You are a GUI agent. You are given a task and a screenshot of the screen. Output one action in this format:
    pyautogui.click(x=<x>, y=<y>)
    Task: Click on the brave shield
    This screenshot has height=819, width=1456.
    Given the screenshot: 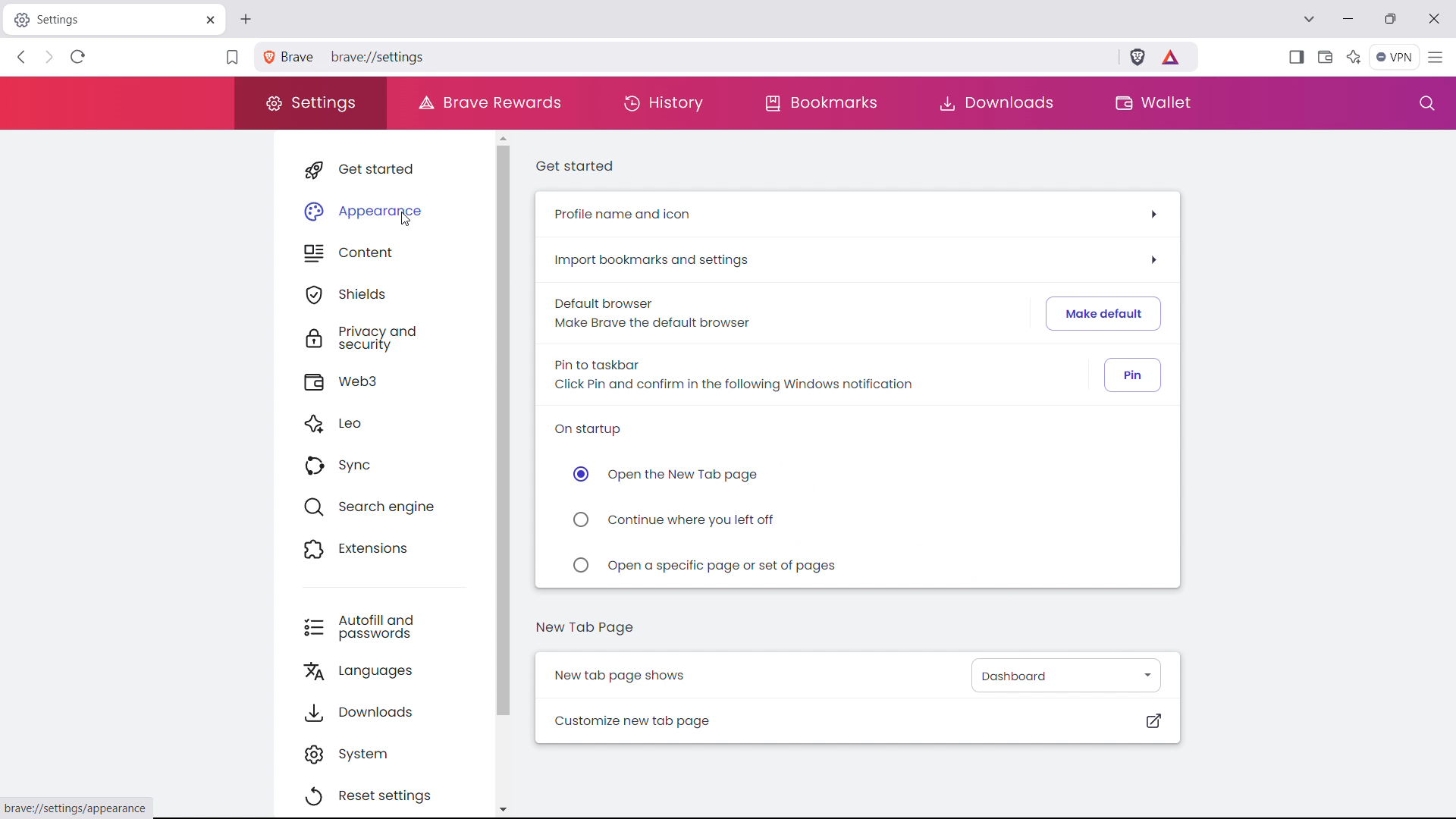 What is the action you would take?
    pyautogui.click(x=1137, y=58)
    